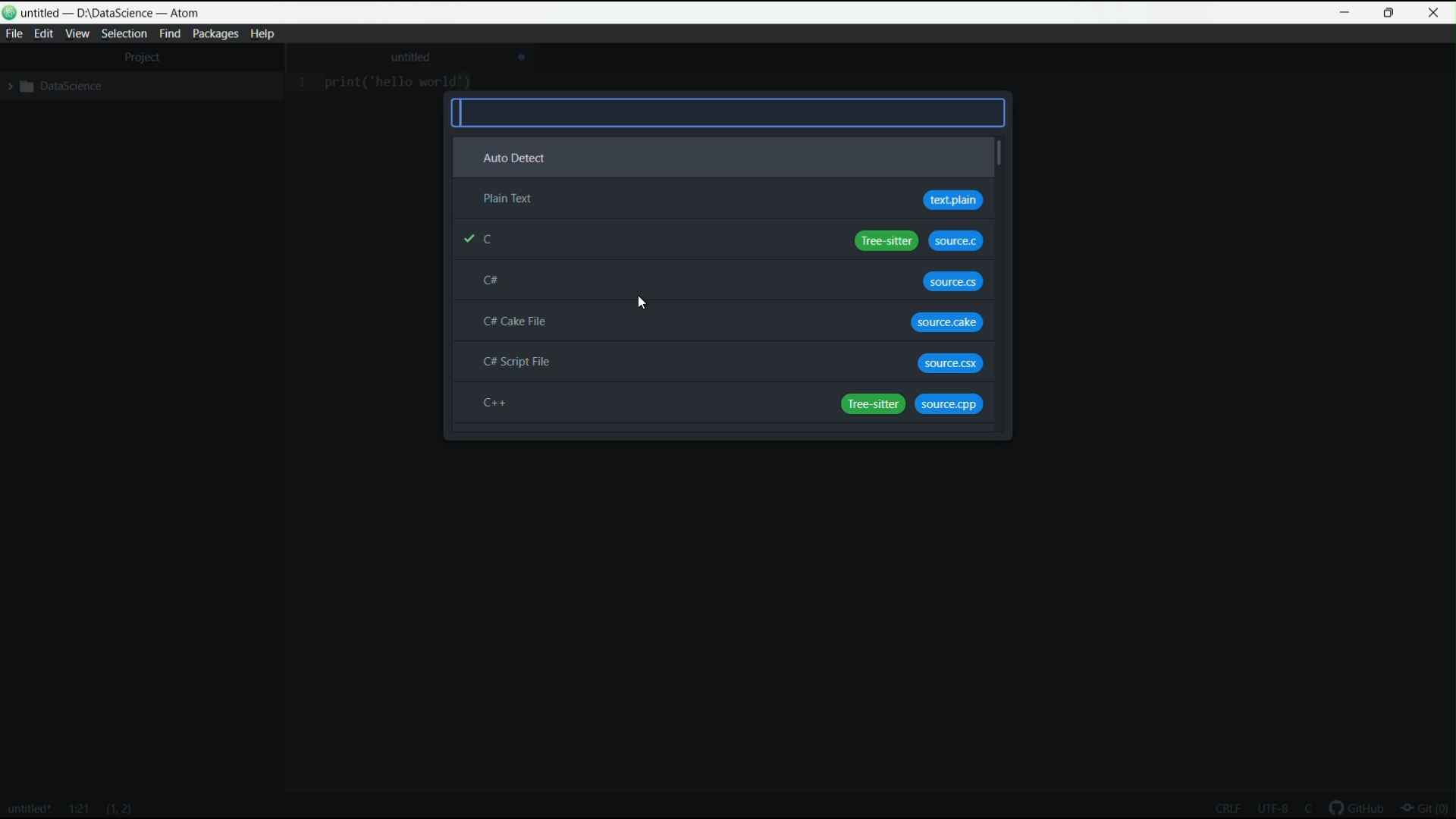 The height and width of the screenshot is (819, 1456). Describe the element at coordinates (1272, 810) in the screenshot. I see `encoding` at that location.